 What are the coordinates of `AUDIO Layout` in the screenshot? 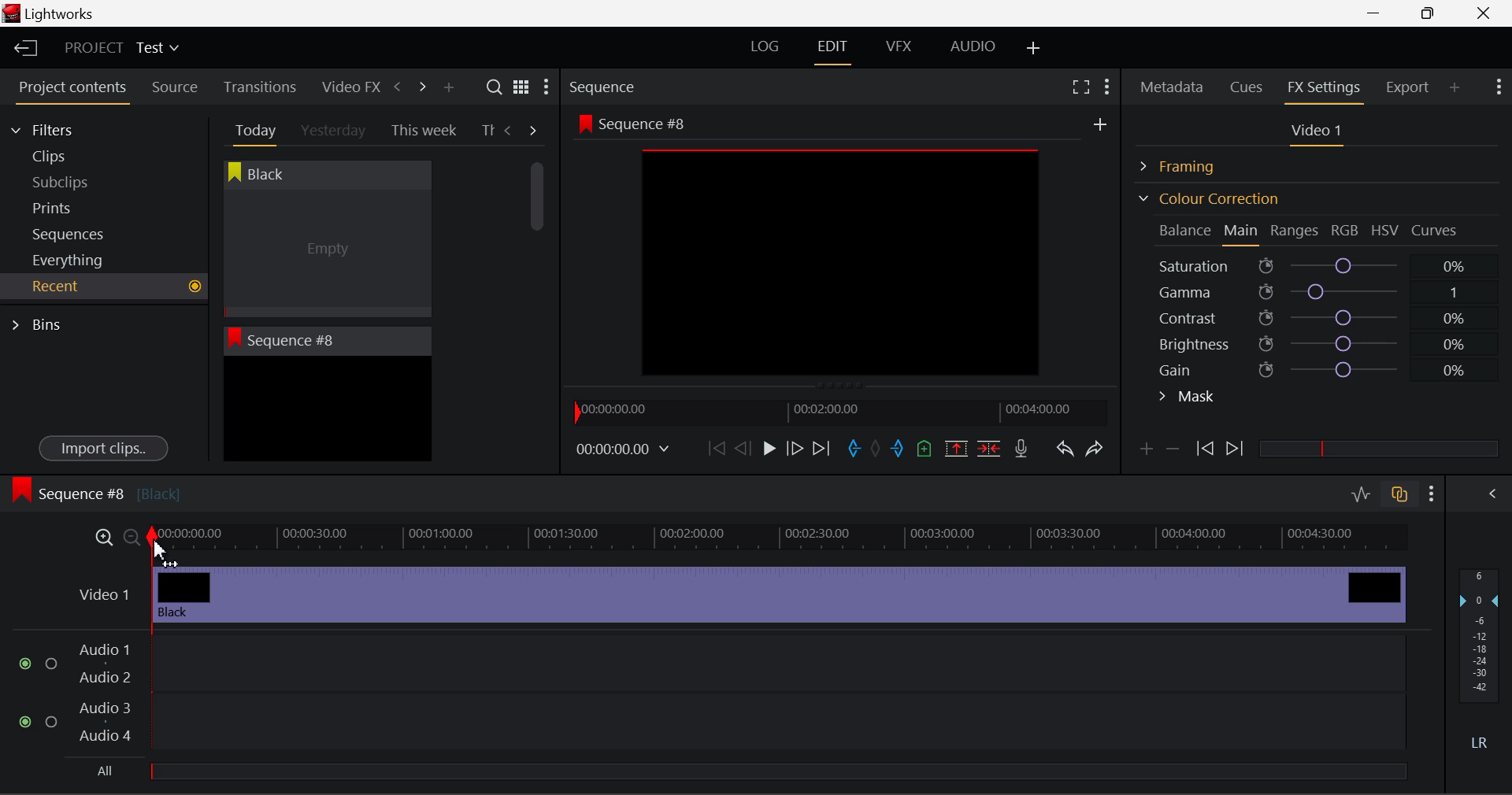 It's located at (972, 46).